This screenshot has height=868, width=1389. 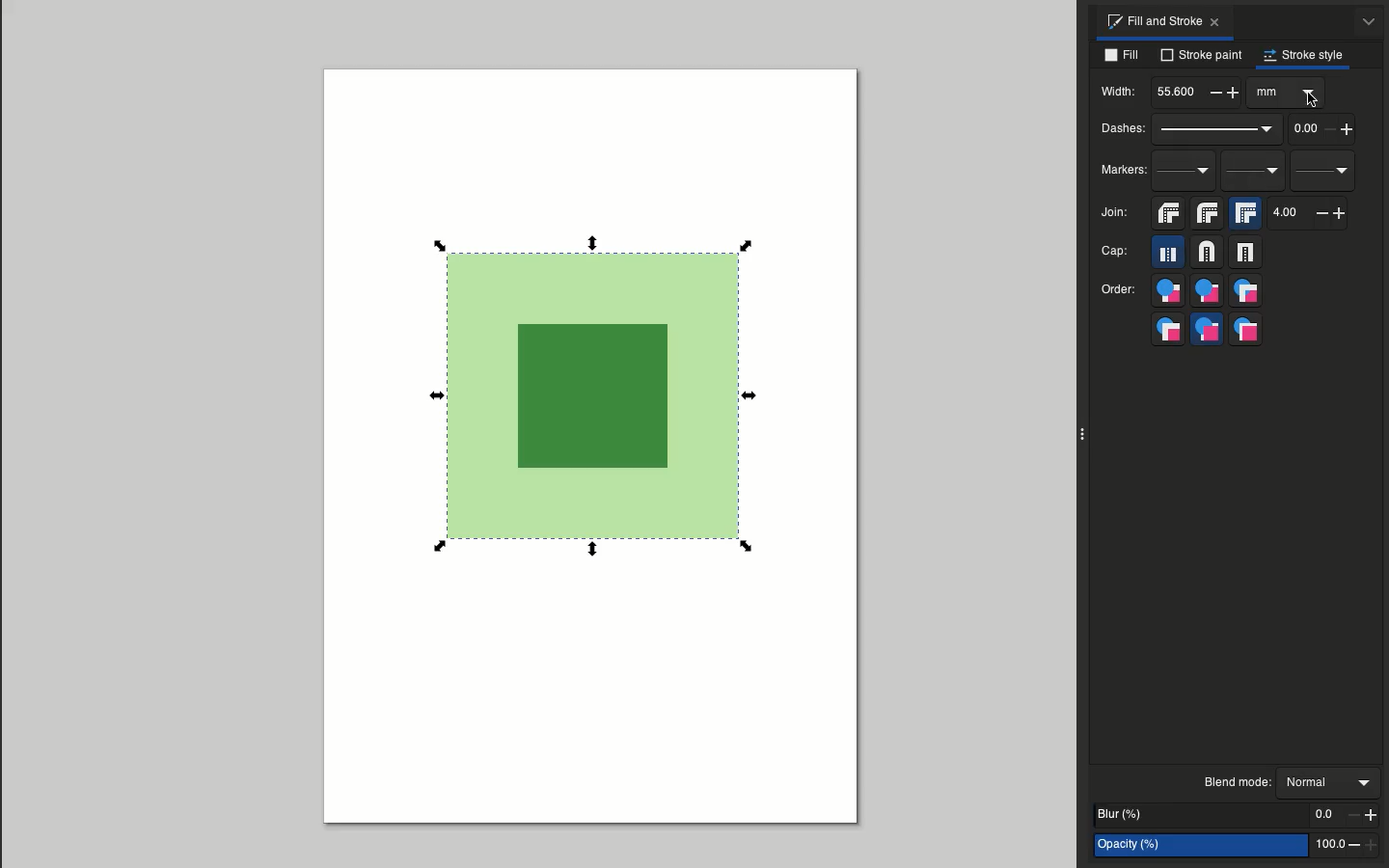 I want to click on Cap, so click(x=1113, y=251).